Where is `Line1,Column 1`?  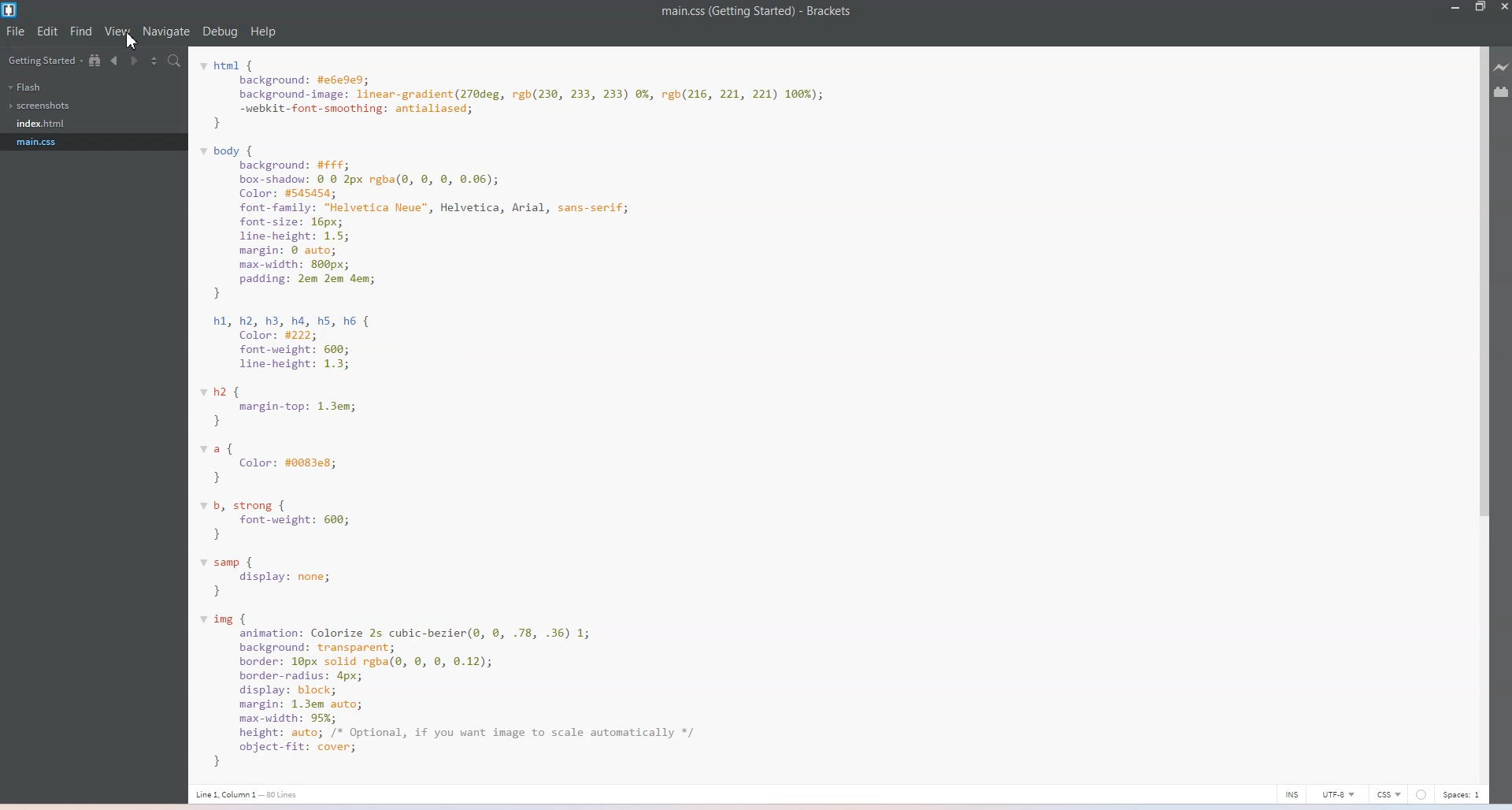
Line1,Column 1 is located at coordinates (246, 795).